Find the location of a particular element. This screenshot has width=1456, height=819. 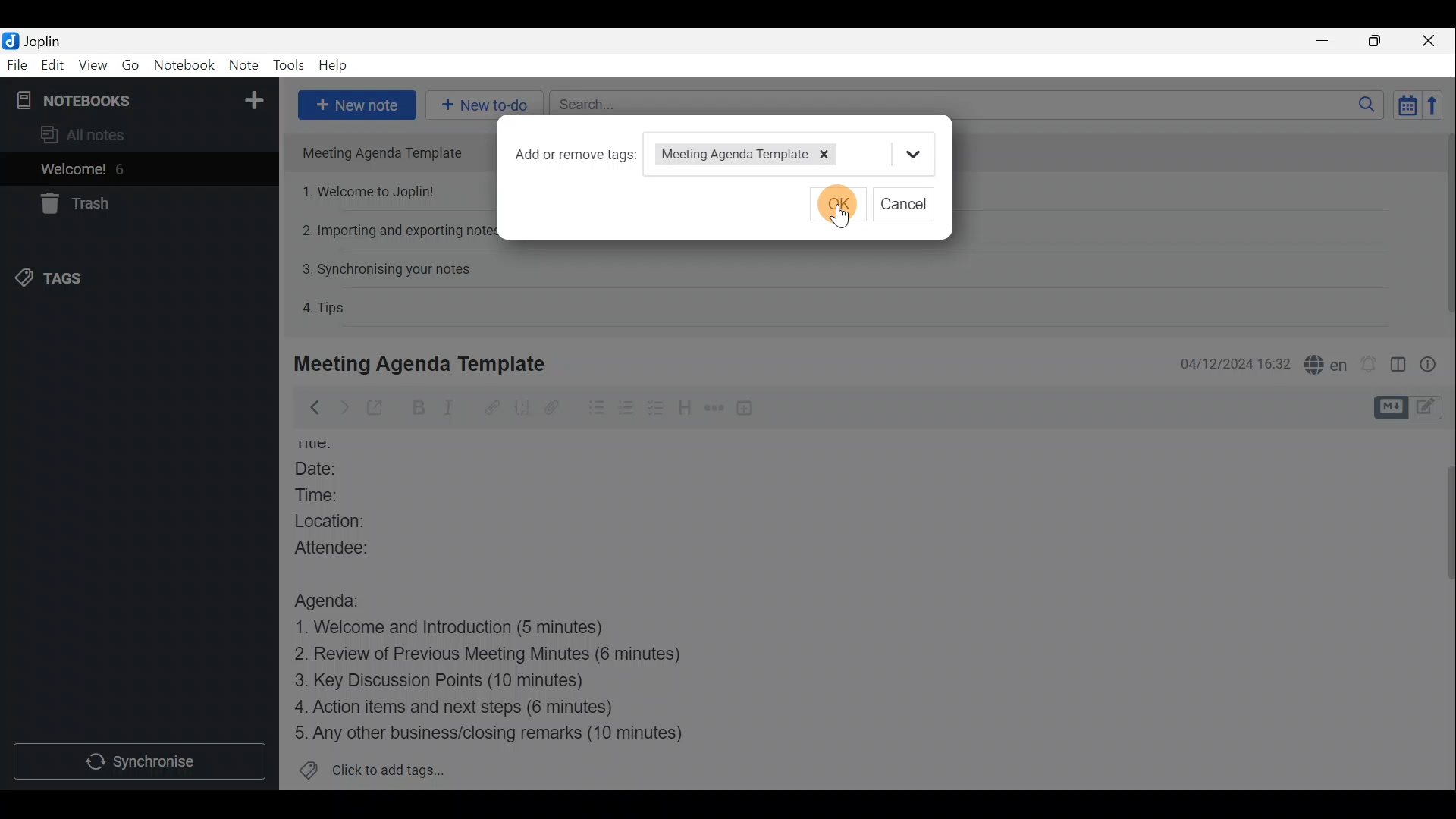

Any other business/closing remarks (10 minutes) is located at coordinates (494, 732).